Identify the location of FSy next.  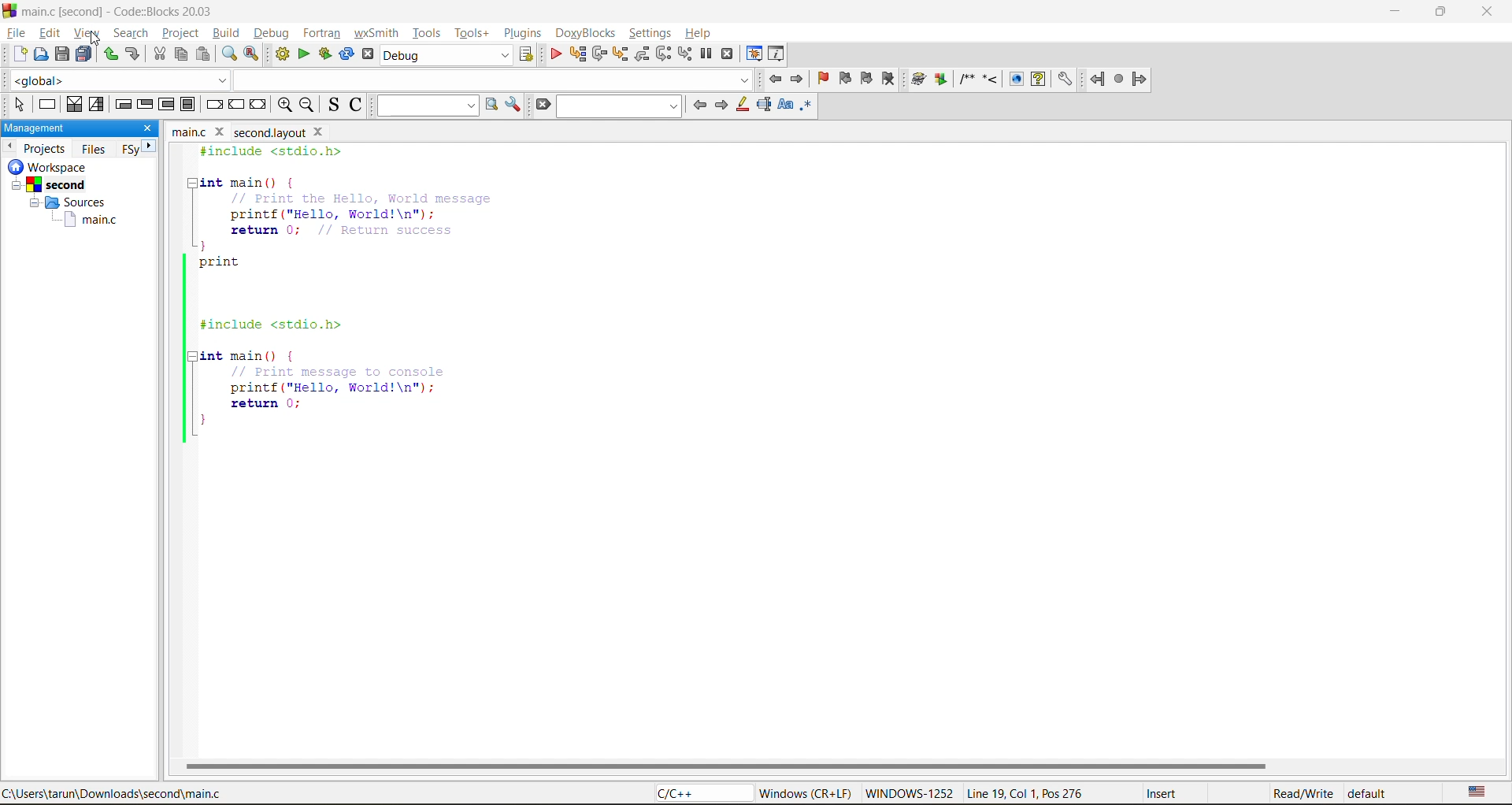
(138, 148).